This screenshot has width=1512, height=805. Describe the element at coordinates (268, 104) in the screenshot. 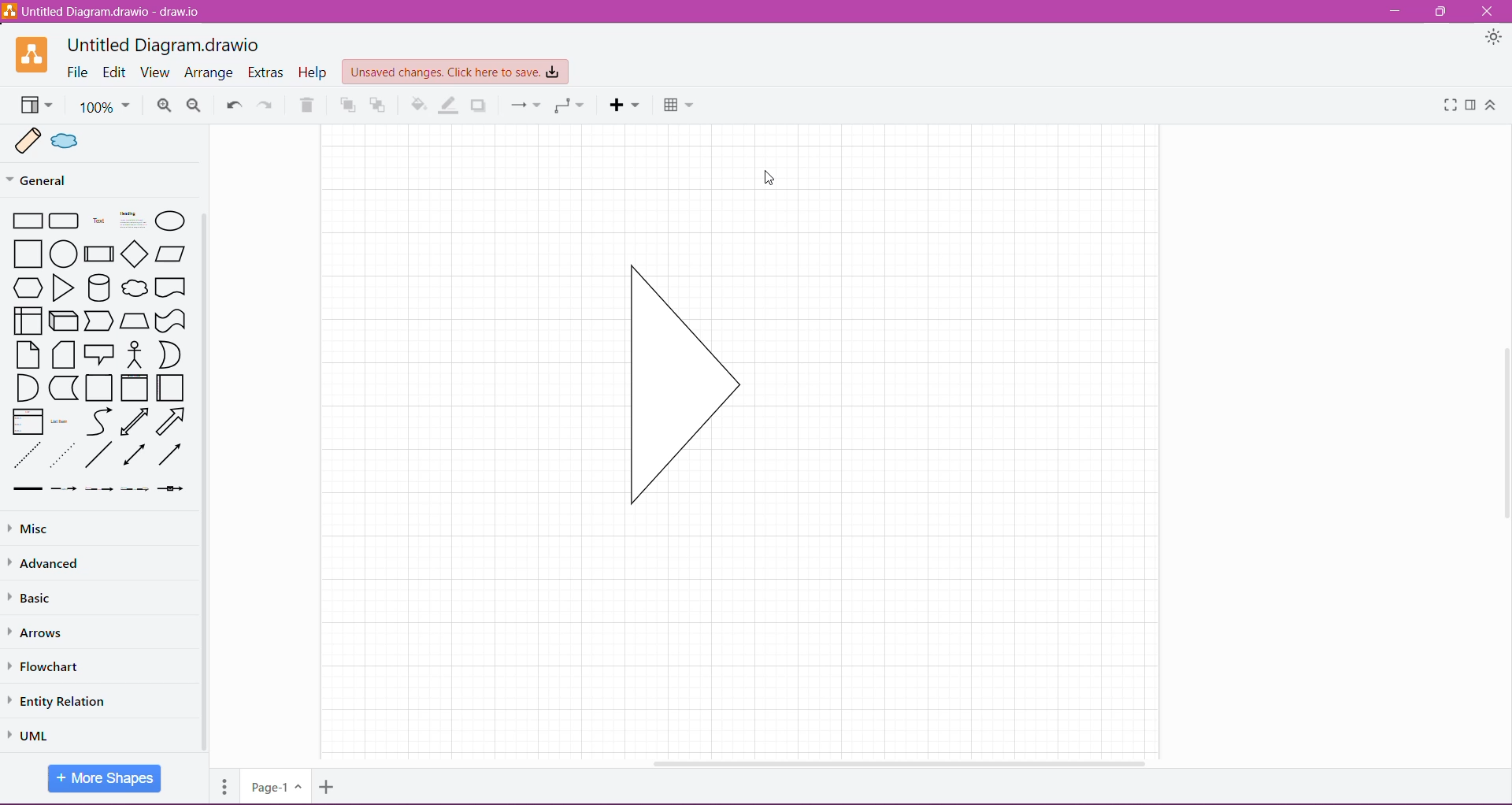

I see `Redo` at that location.